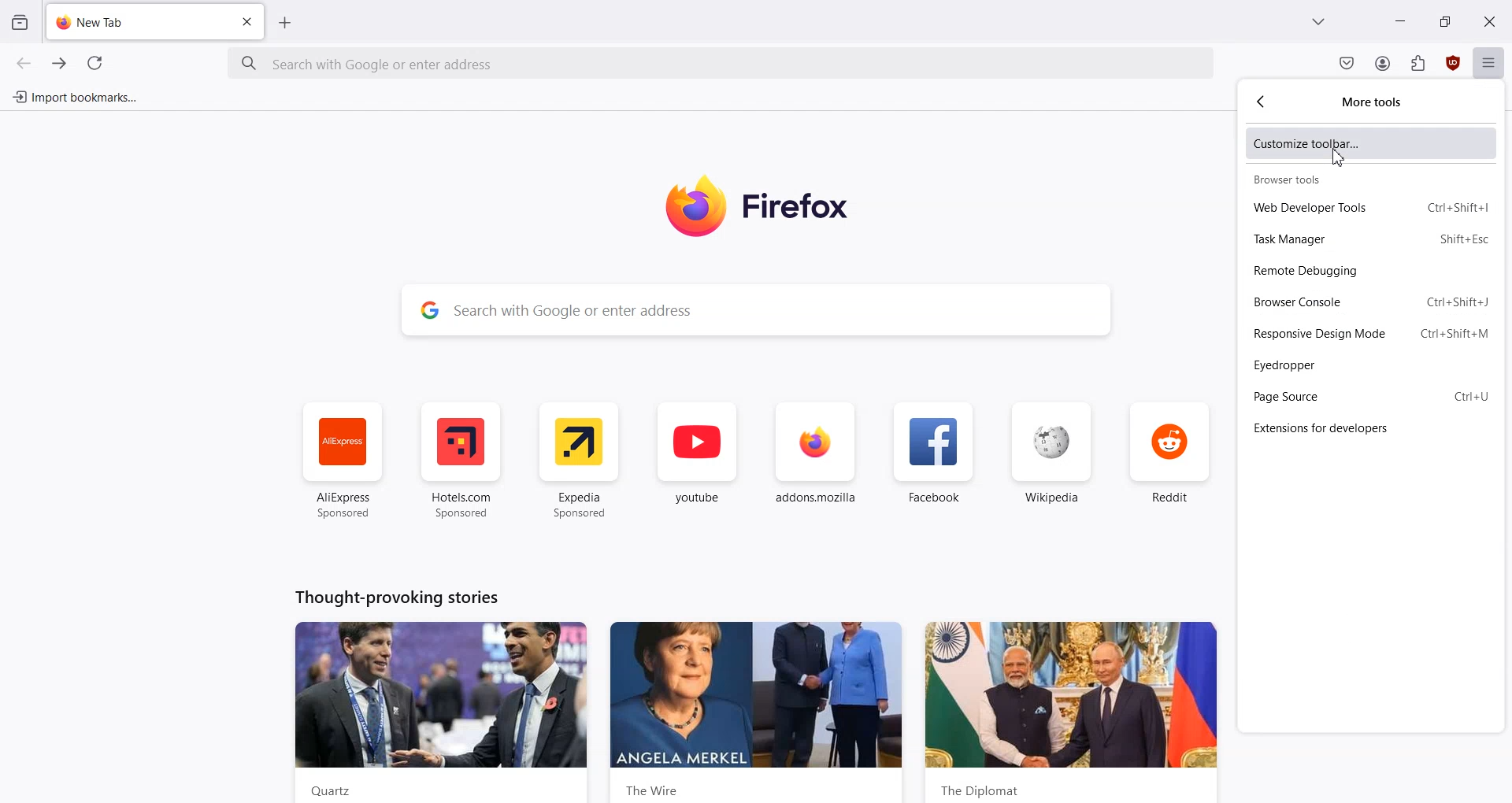 Image resolution: width=1512 pixels, height=803 pixels. I want to click on Shortcut key, so click(1471, 396).